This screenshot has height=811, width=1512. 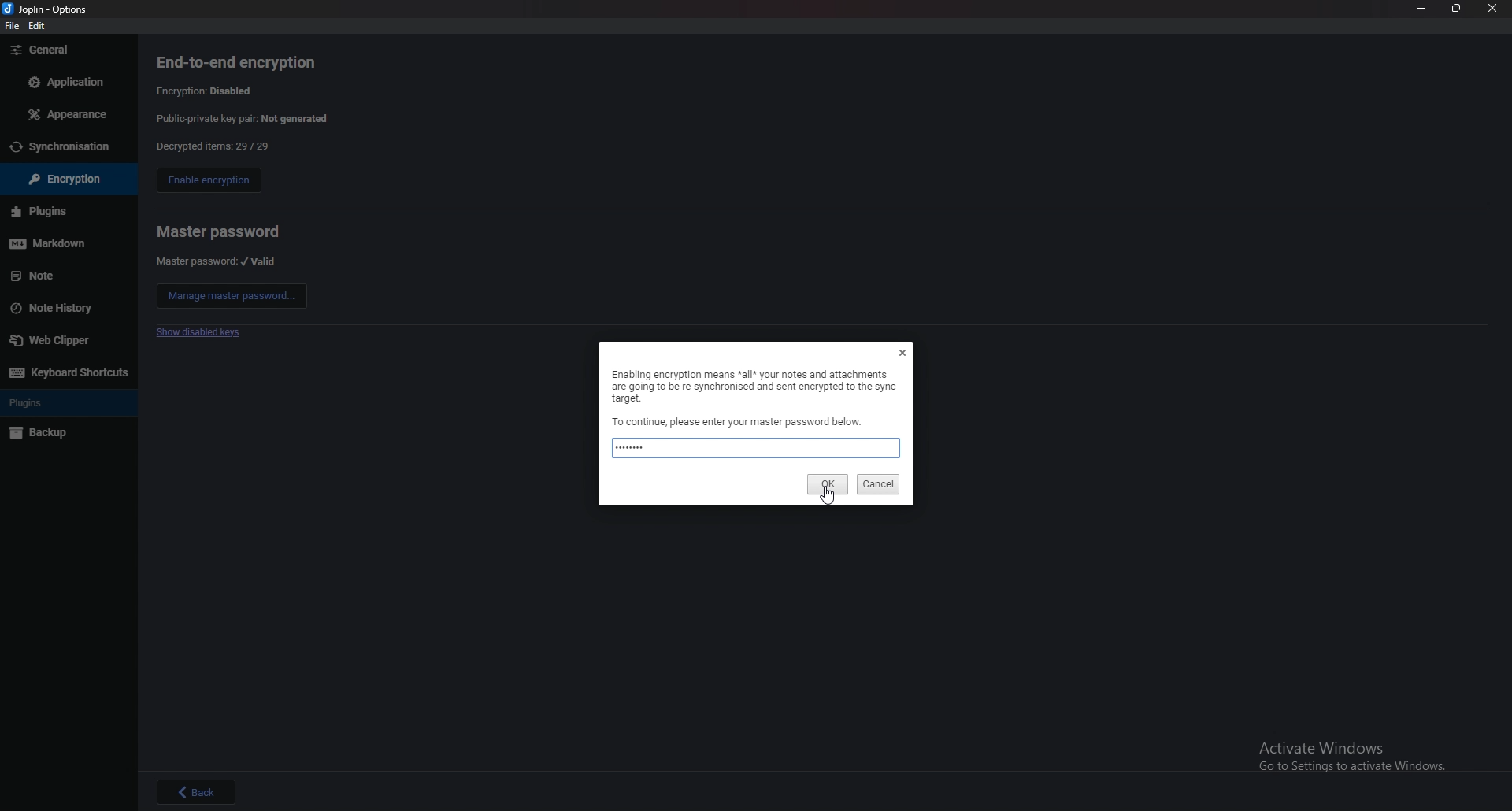 I want to click on , so click(x=1455, y=10).